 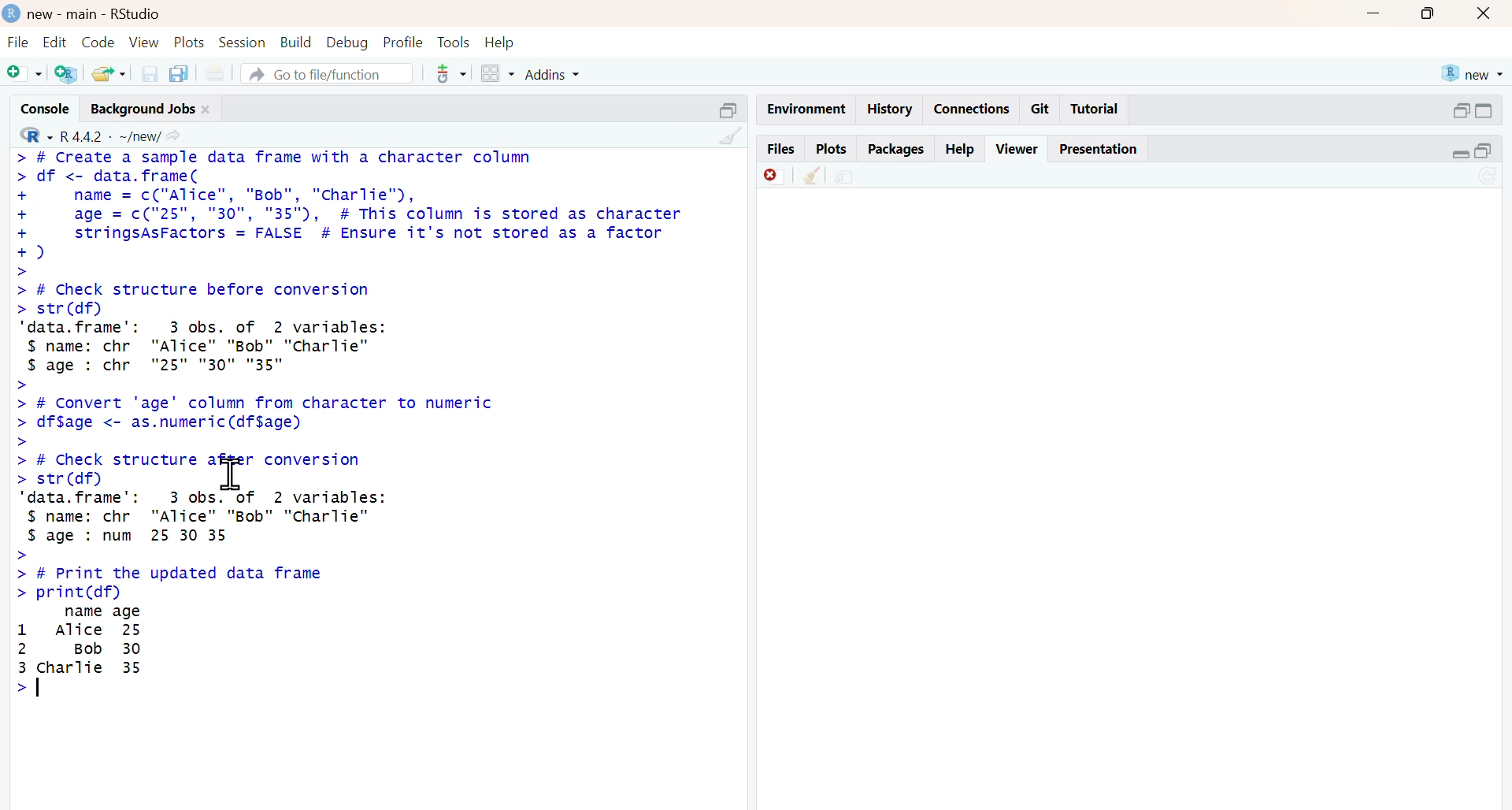 I want to click on file, so click(x=17, y=42).